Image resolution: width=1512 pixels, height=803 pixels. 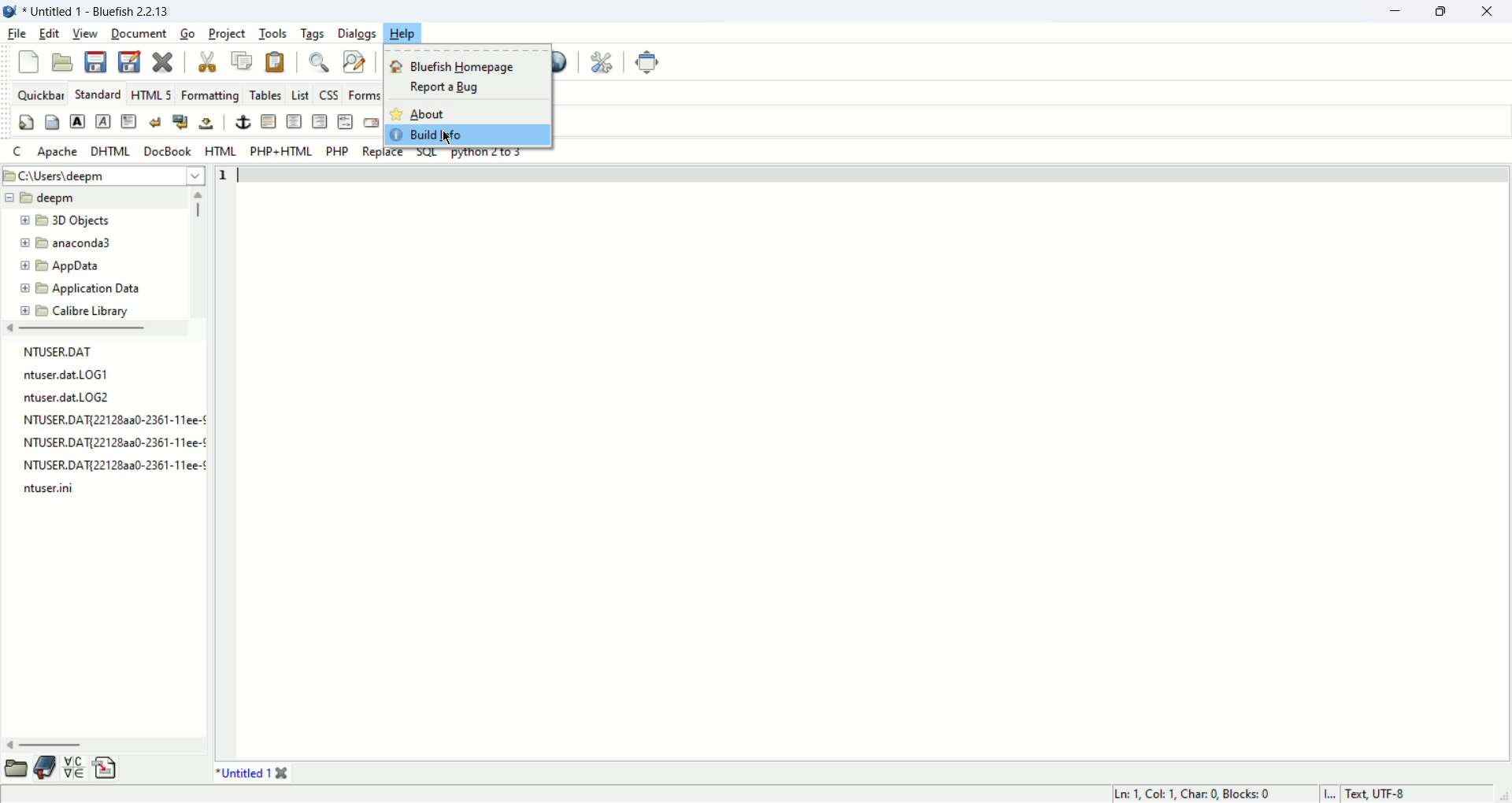 I want to click on document name, so click(x=106, y=9).